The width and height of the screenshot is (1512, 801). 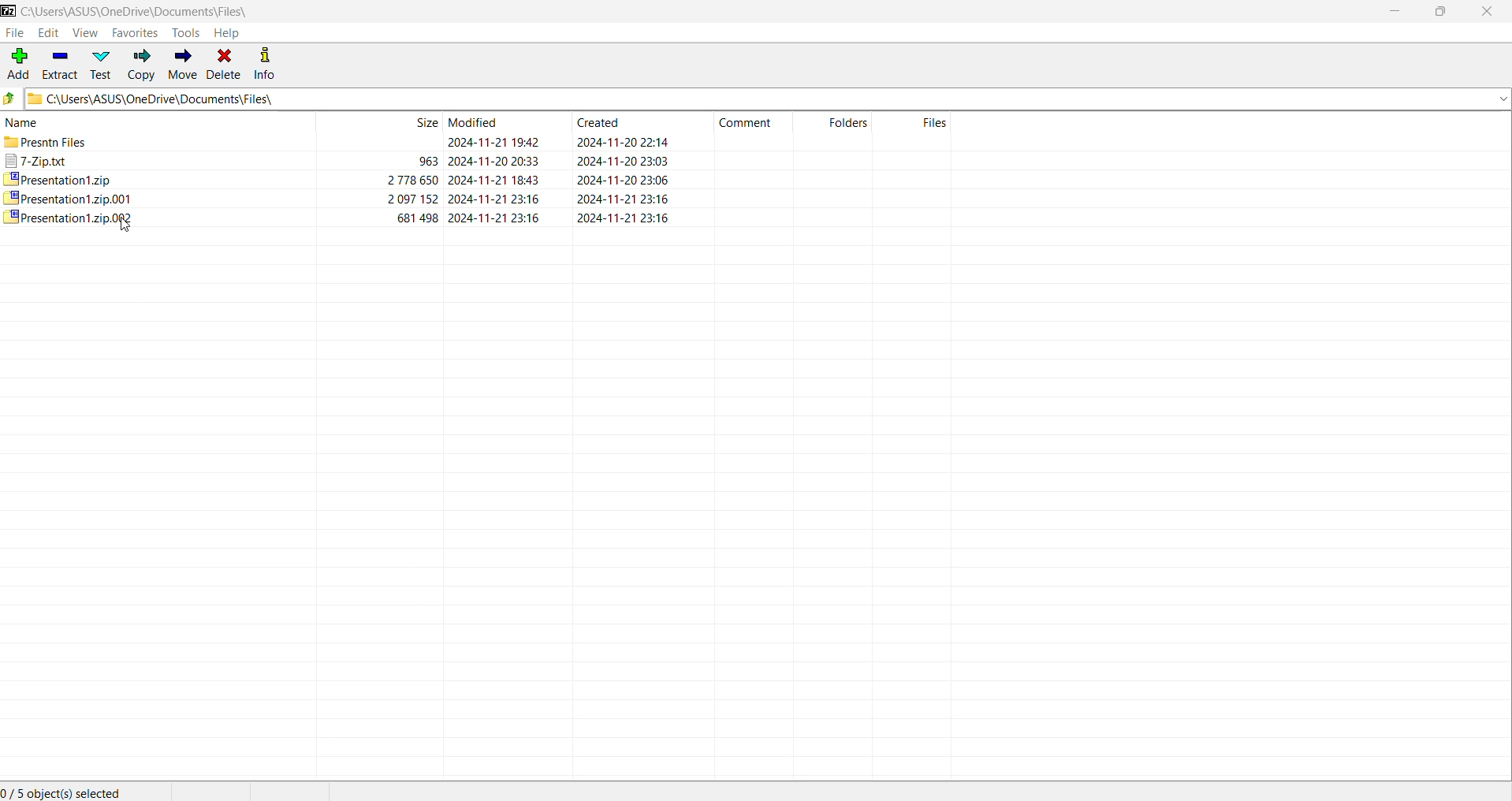 I want to click on c\users\ASUS\OneDrive\Documents\Files\, so click(x=141, y=11).